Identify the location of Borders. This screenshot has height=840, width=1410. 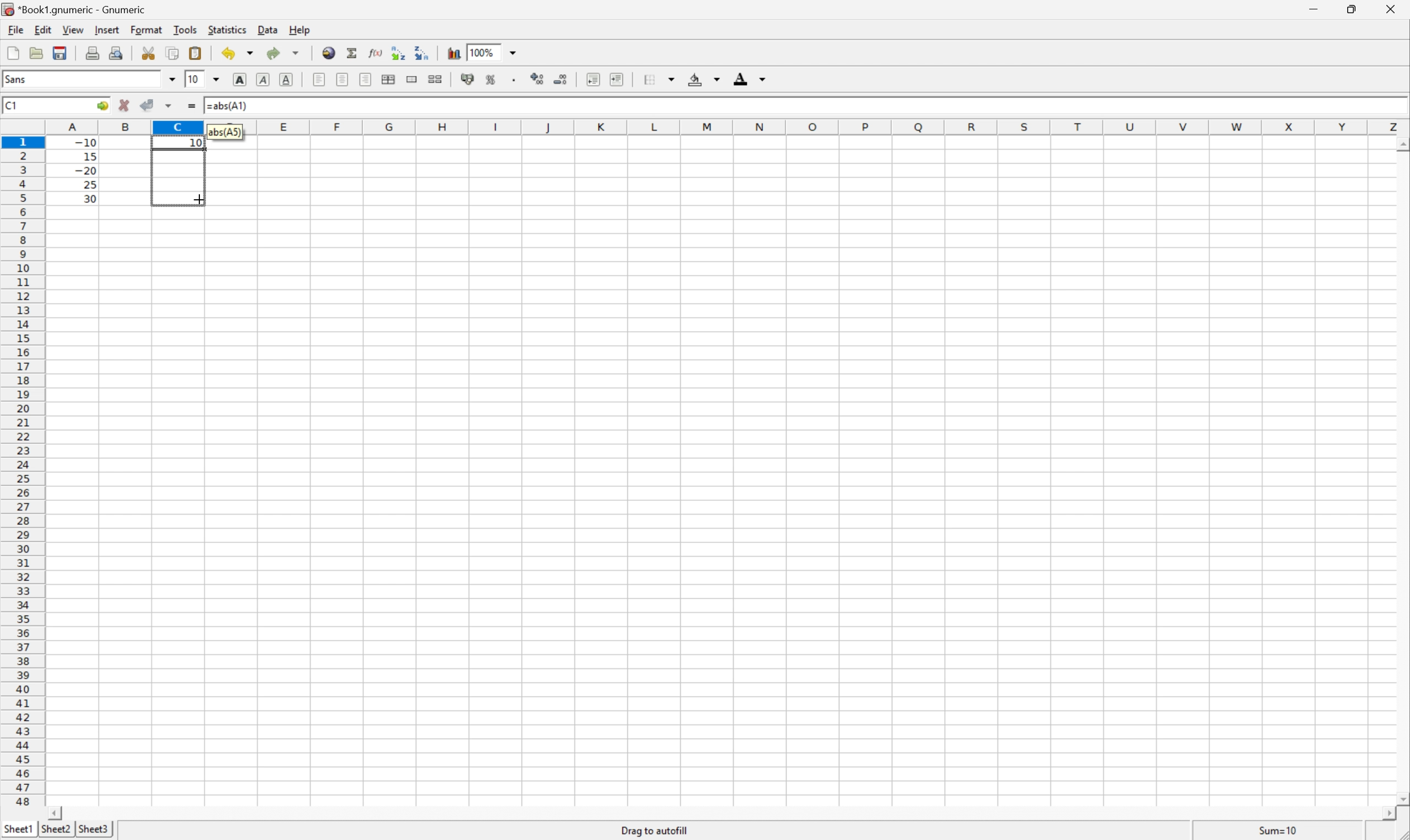
(647, 79).